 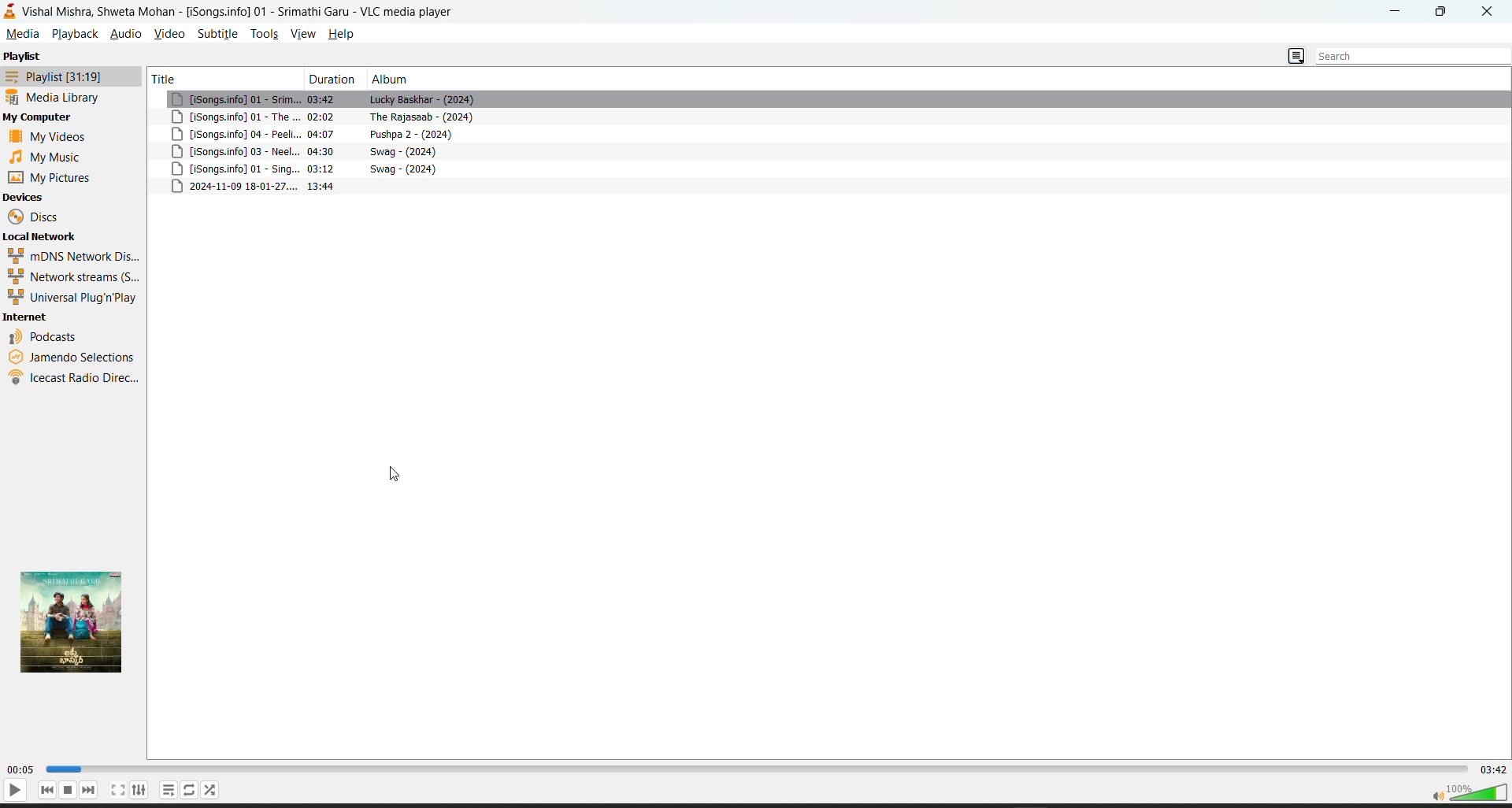 I want to click on song info 01-srim, so click(x=234, y=100).